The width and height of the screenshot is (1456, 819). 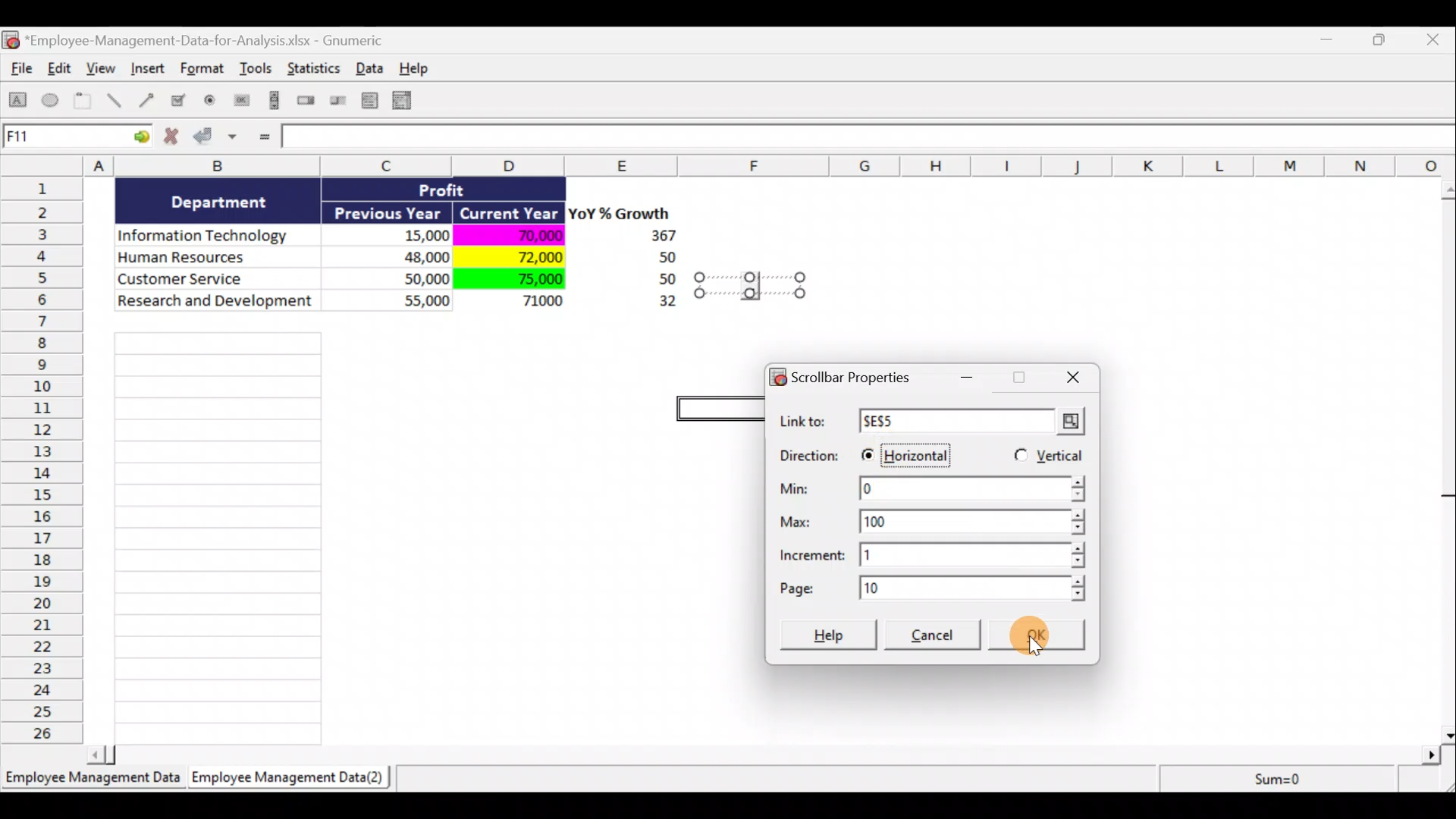 I want to click on Maximum value, so click(x=940, y=519).